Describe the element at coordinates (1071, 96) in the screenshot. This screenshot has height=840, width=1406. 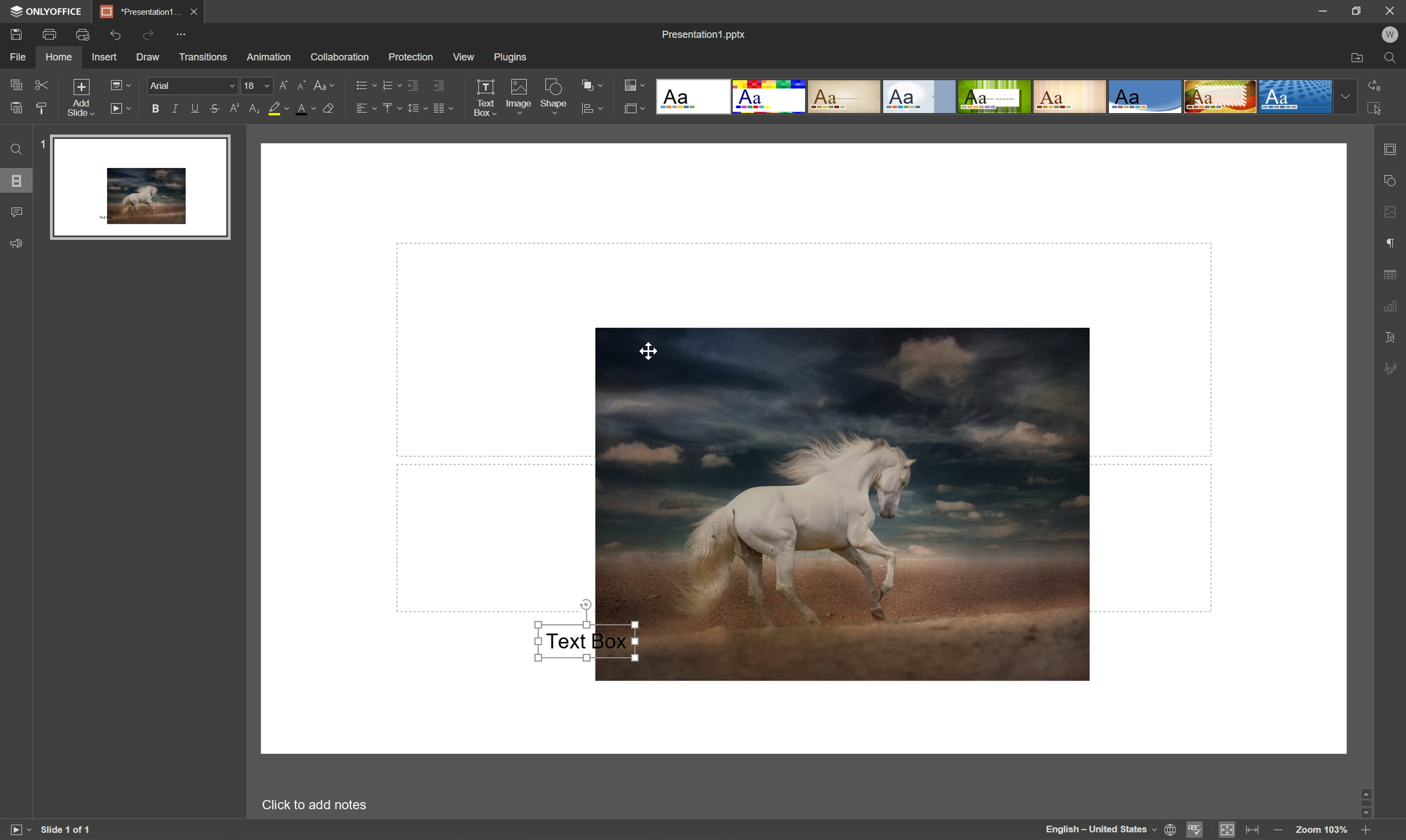
I see `Lines` at that location.